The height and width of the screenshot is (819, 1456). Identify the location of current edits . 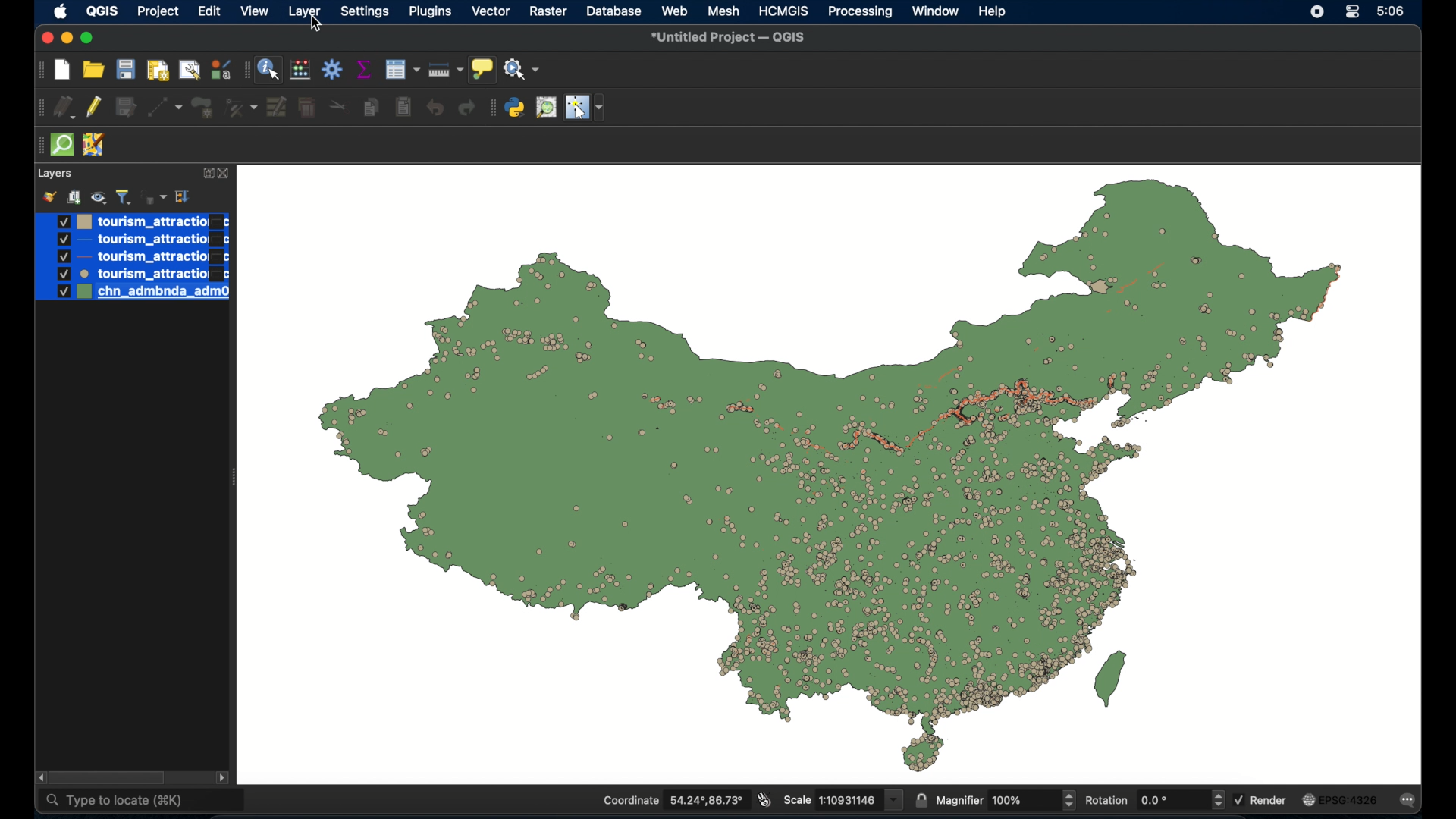
(65, 108).